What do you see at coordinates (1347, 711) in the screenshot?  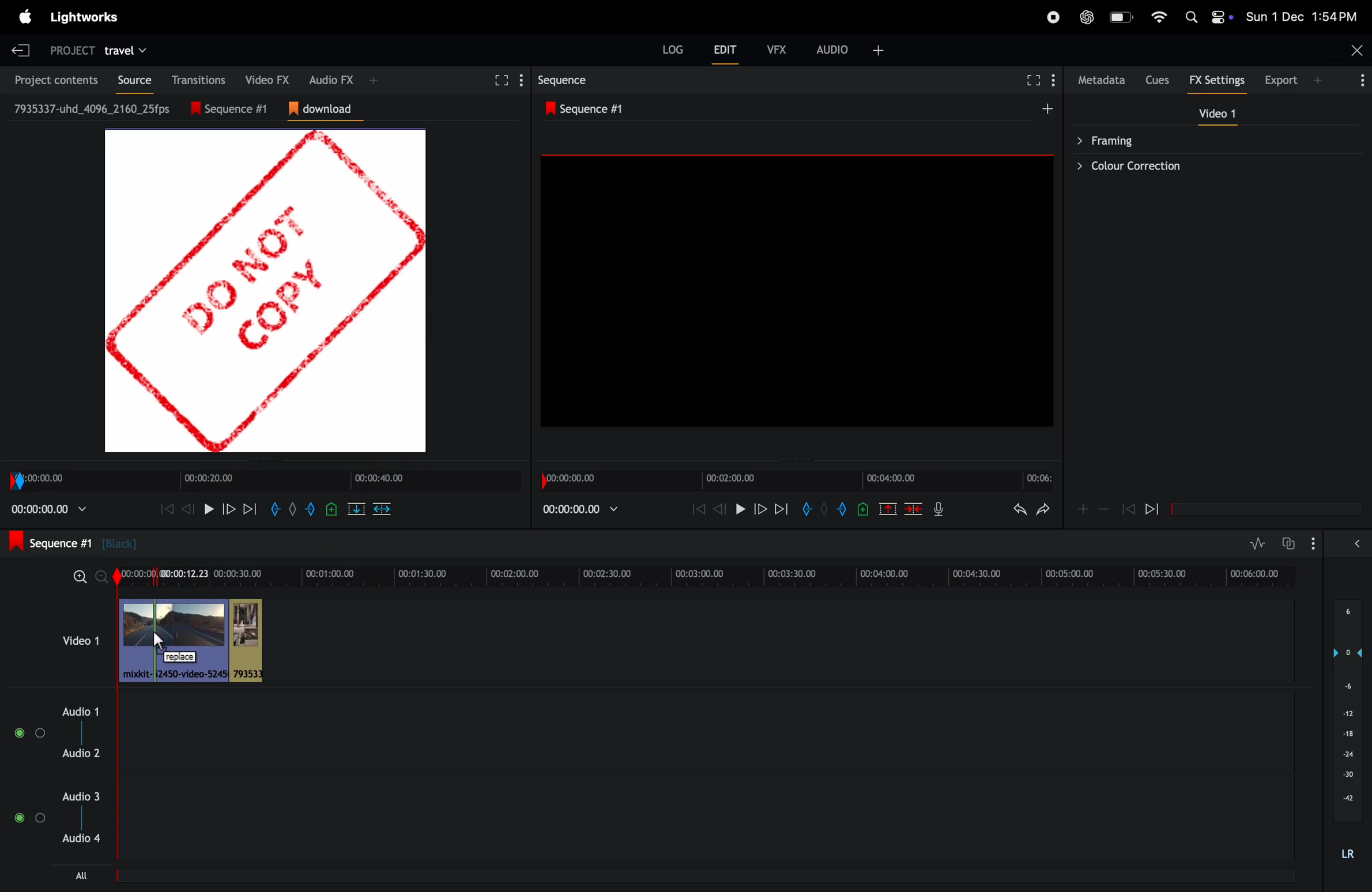 I see `audio pitch scale` at bounding box center [1347, 711].